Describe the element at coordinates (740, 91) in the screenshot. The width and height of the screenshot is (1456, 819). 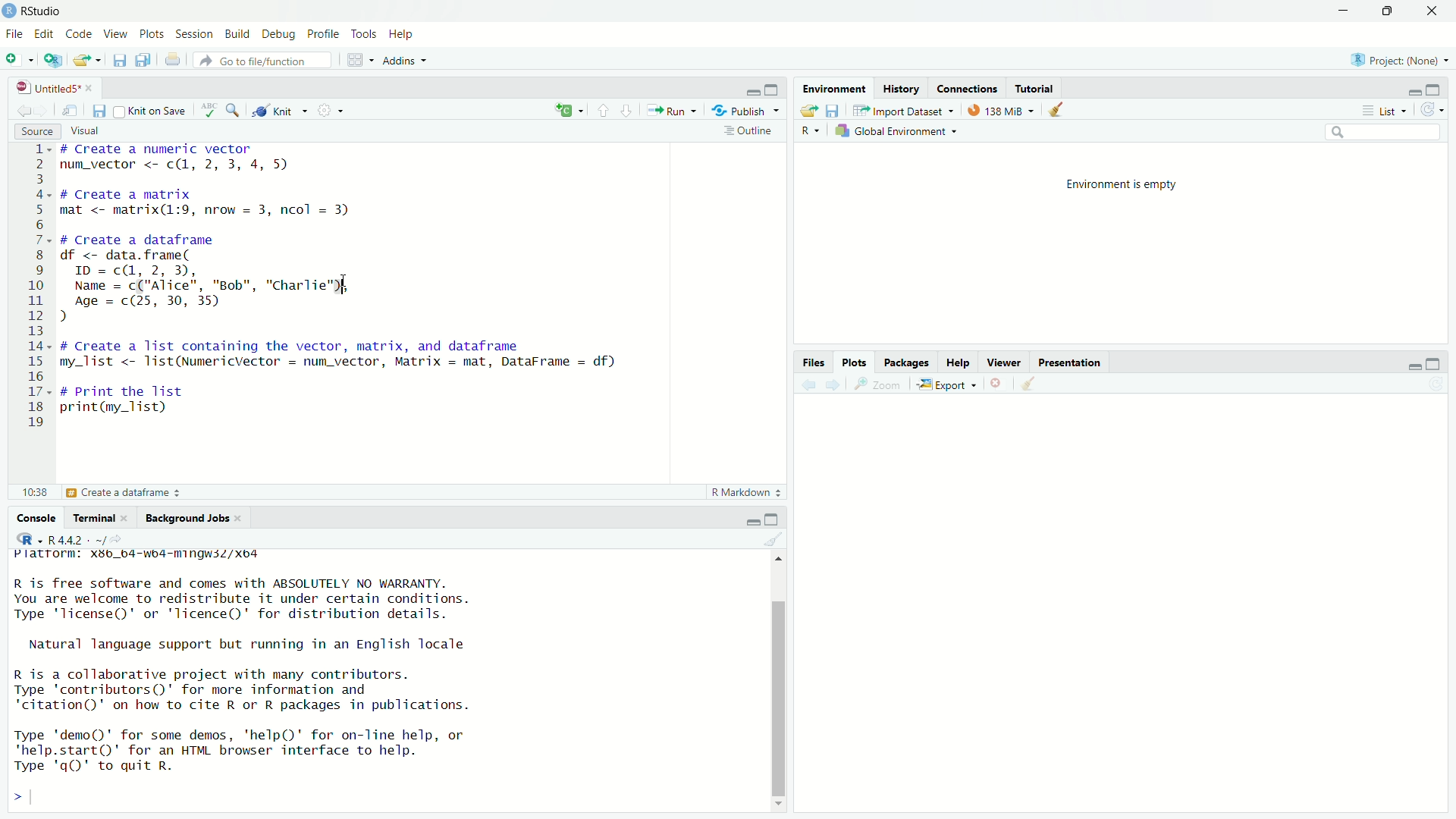
I see `minimise` at that location.